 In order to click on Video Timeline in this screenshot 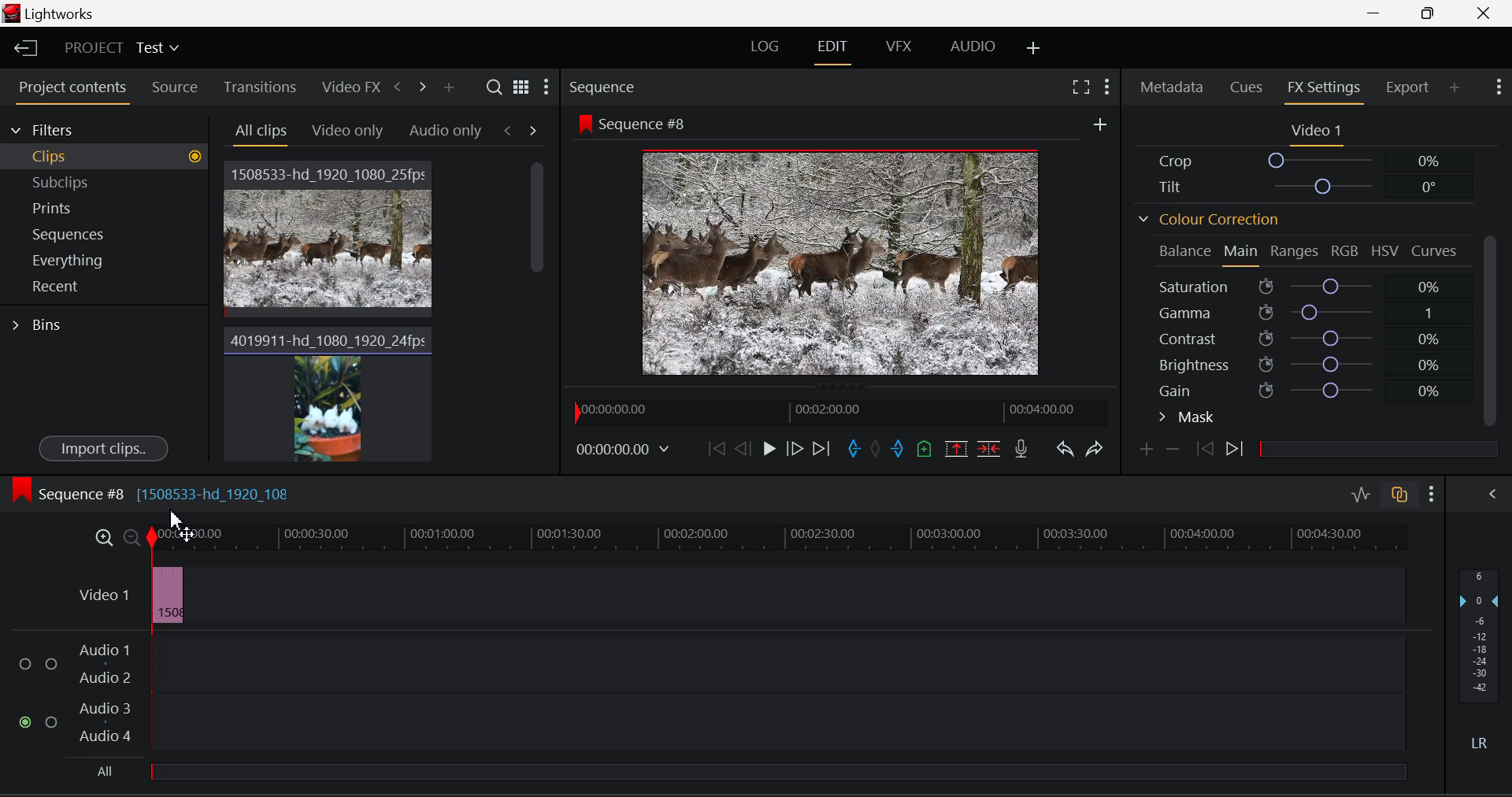, I will do `click(98, 597)`.